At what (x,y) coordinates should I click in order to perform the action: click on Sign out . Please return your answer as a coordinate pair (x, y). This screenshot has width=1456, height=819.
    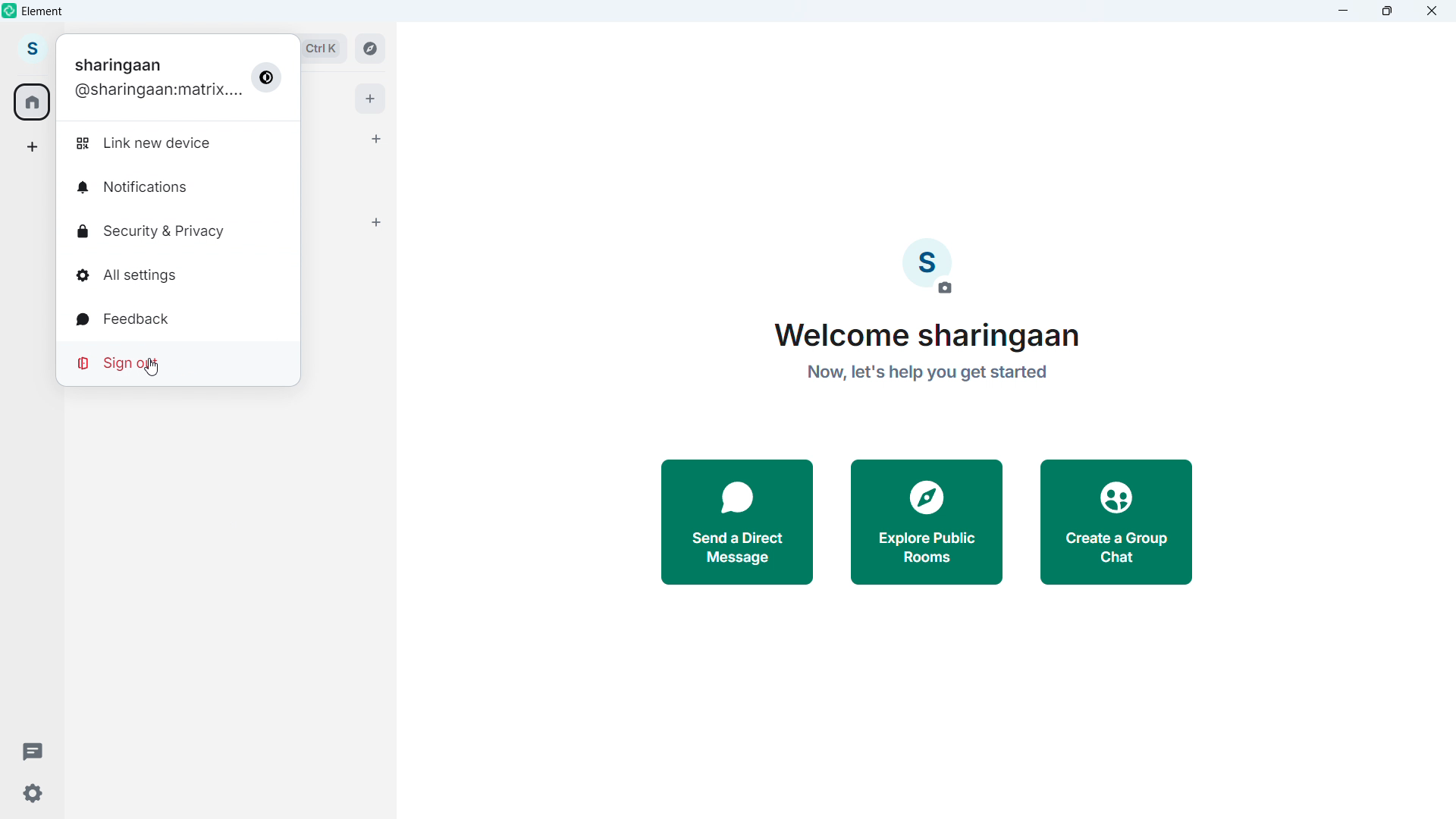
    Looking at the image, I should click on (121, 362).